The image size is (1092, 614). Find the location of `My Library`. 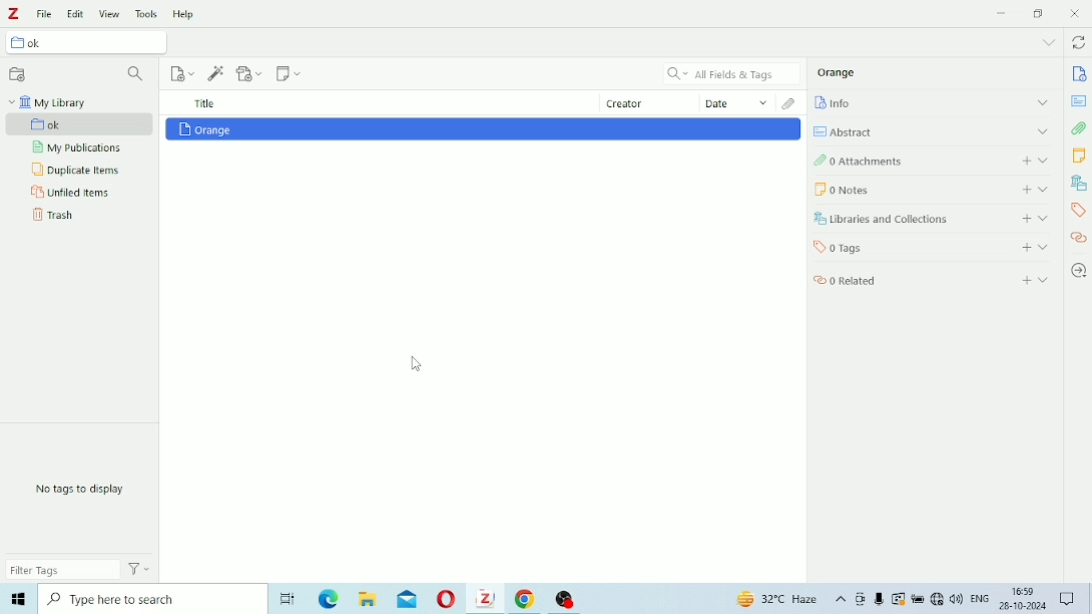

My Library is located at coordinates (47, 102).